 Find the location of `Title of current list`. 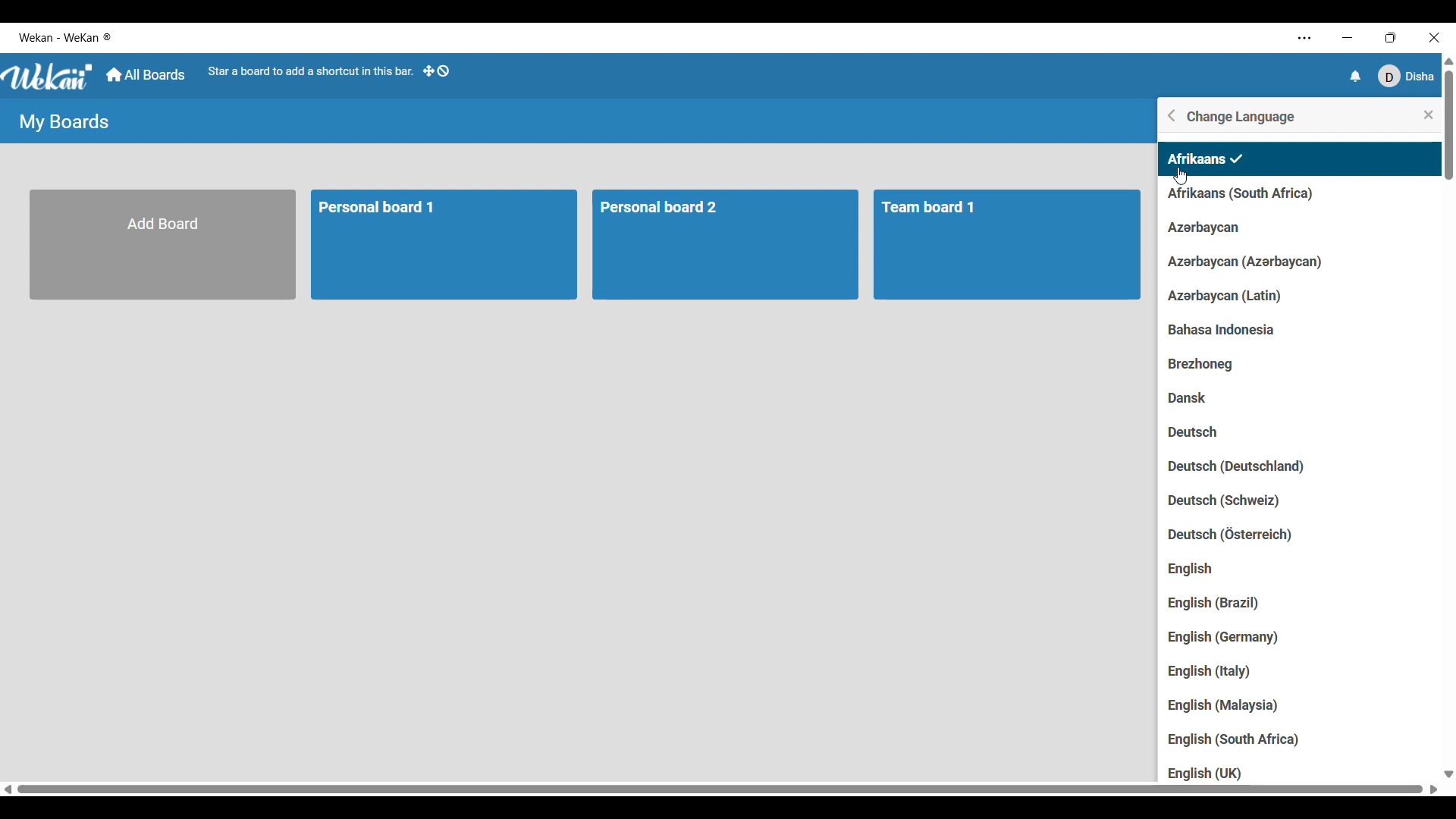

Title of current list is located at coordinates (1242, 117).